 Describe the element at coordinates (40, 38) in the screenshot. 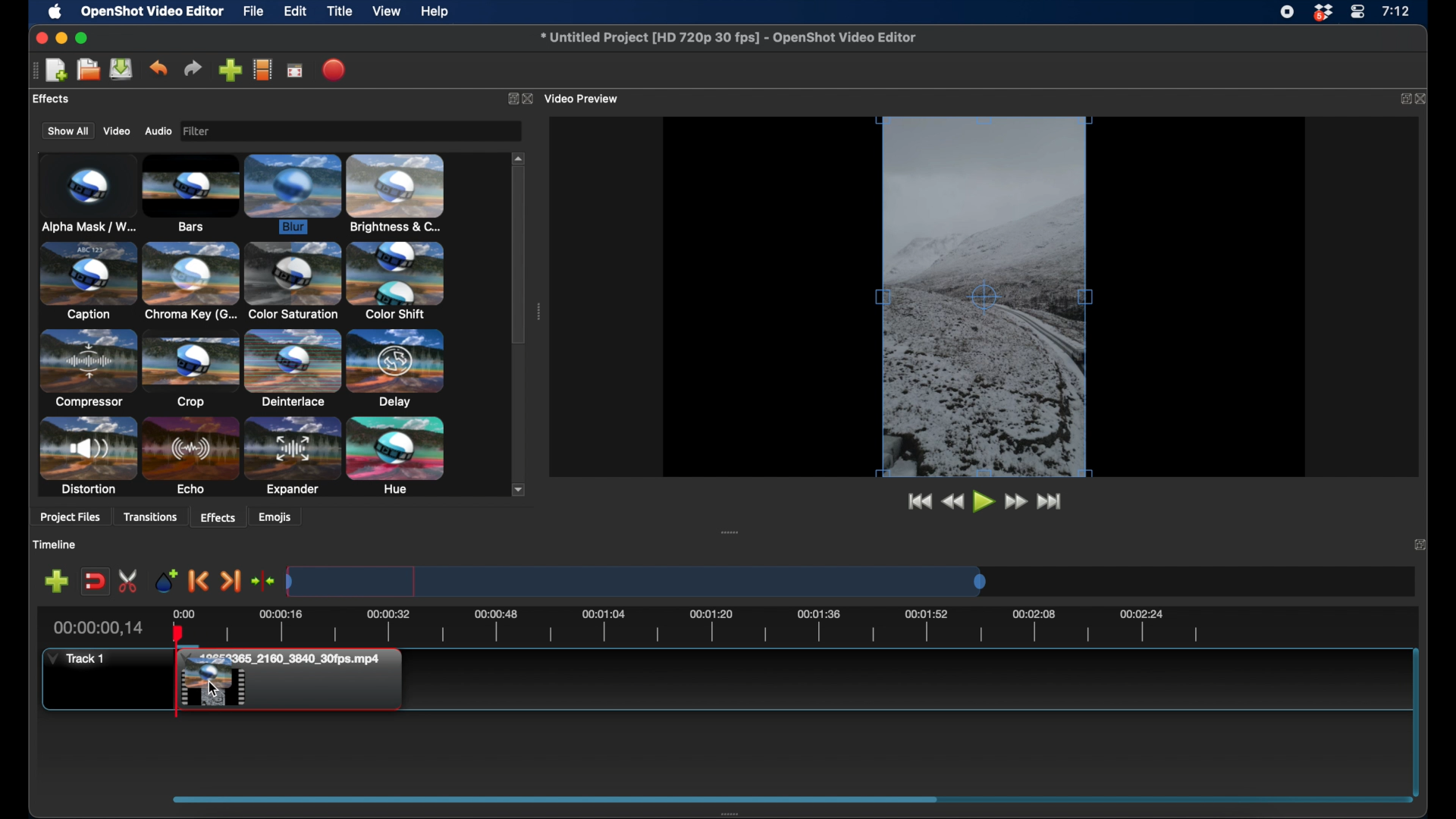

I see `close` at that location.